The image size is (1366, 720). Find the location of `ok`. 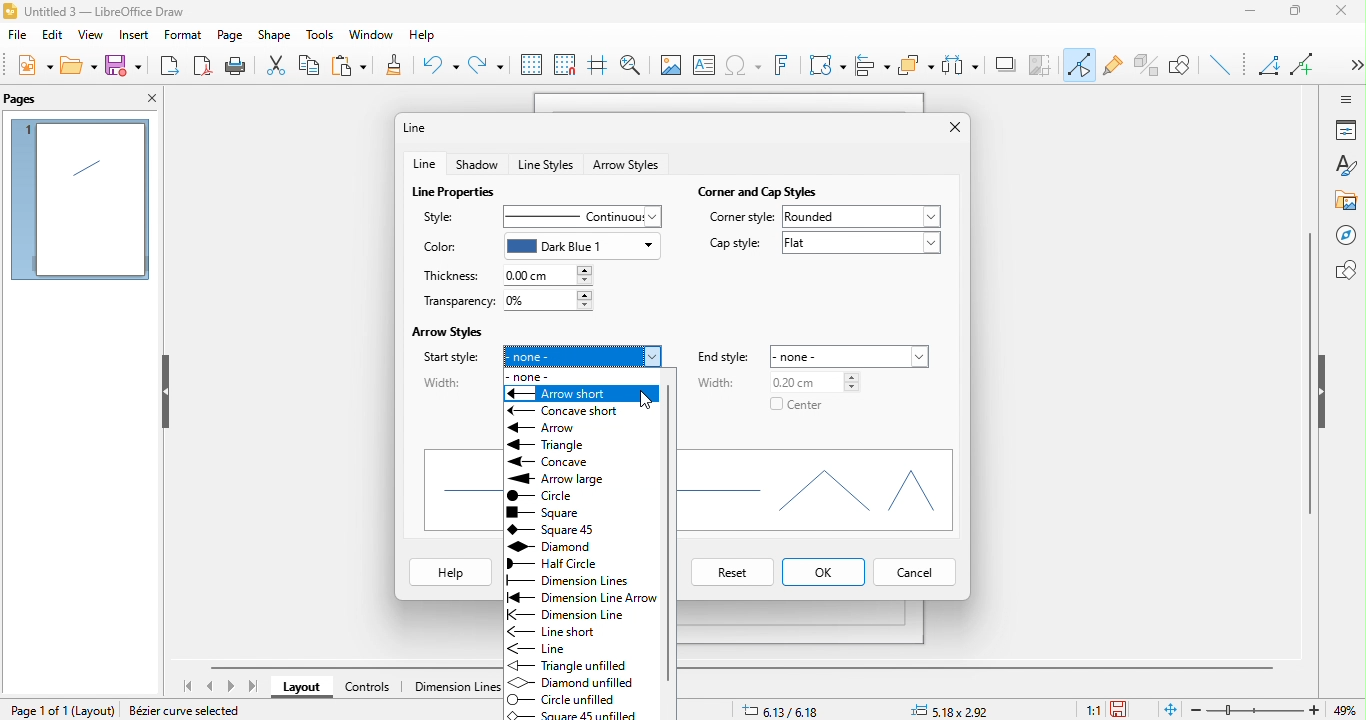

ok is located at coordinates (825, 571).